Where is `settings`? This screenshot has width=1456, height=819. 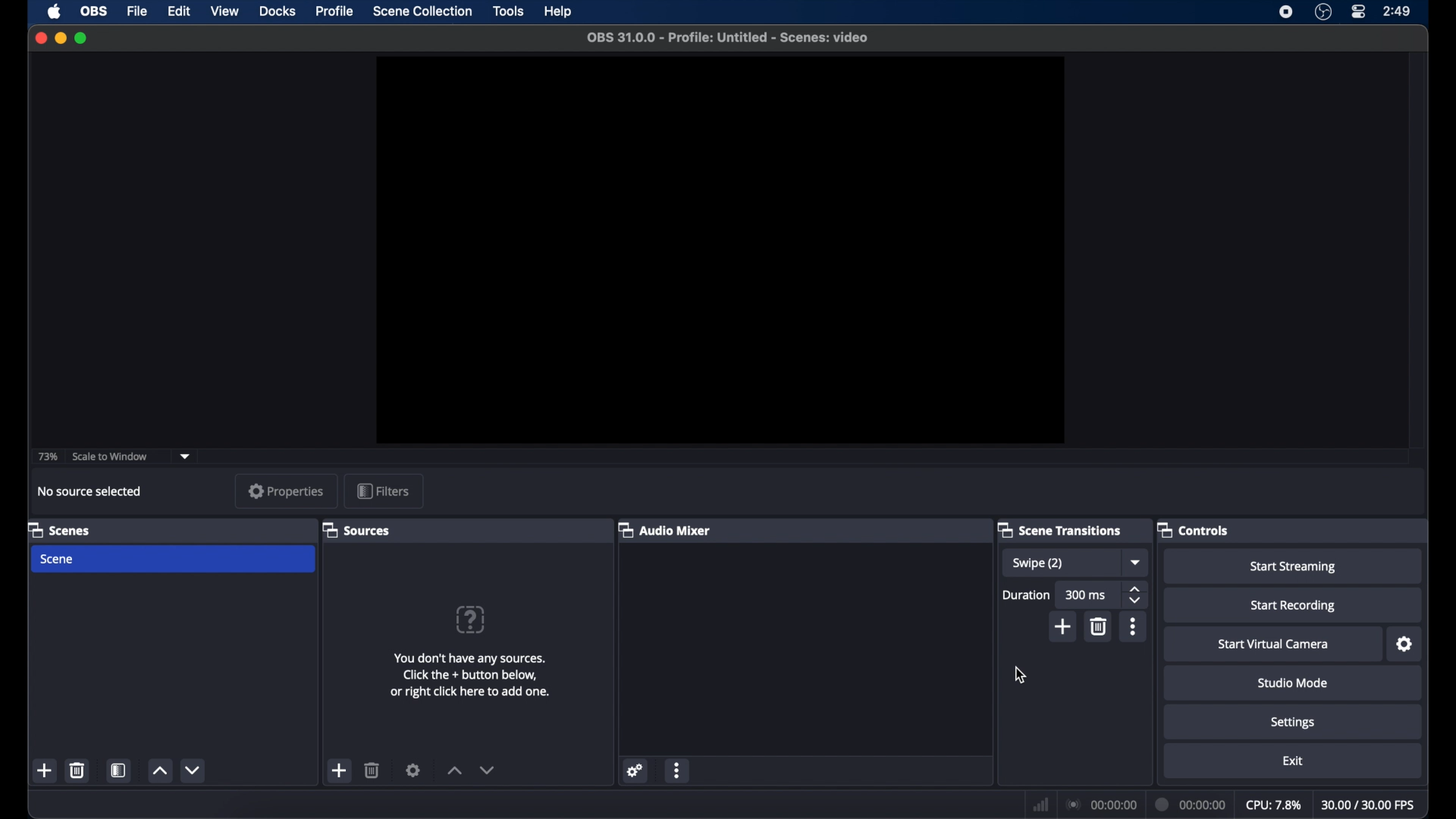 settings is located at coordinates (413, 770).